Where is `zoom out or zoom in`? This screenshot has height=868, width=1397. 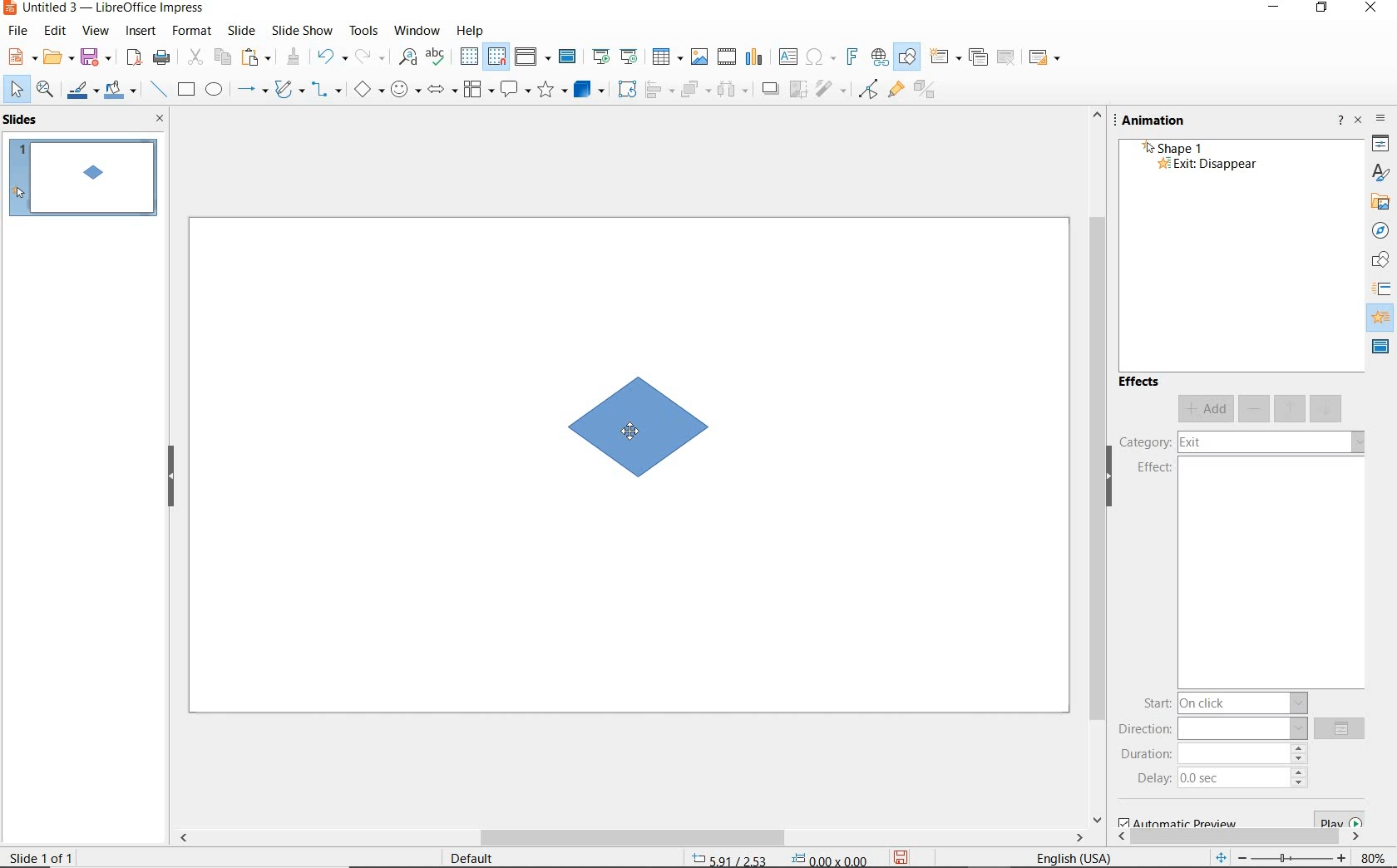 zoom out or zoom in is located at coordinates (1279, 856).